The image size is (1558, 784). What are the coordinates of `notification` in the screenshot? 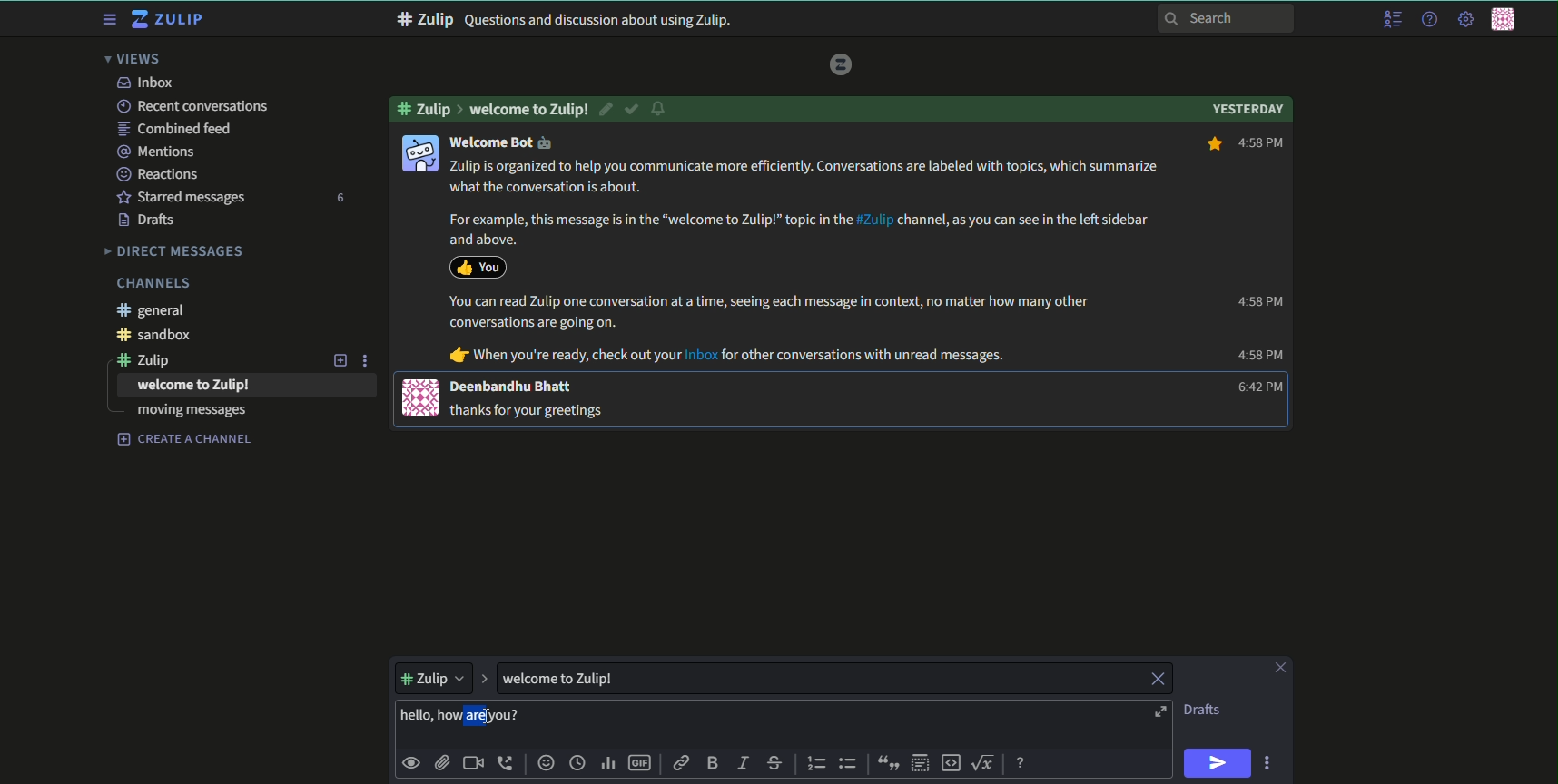 It's located at (661, 110).